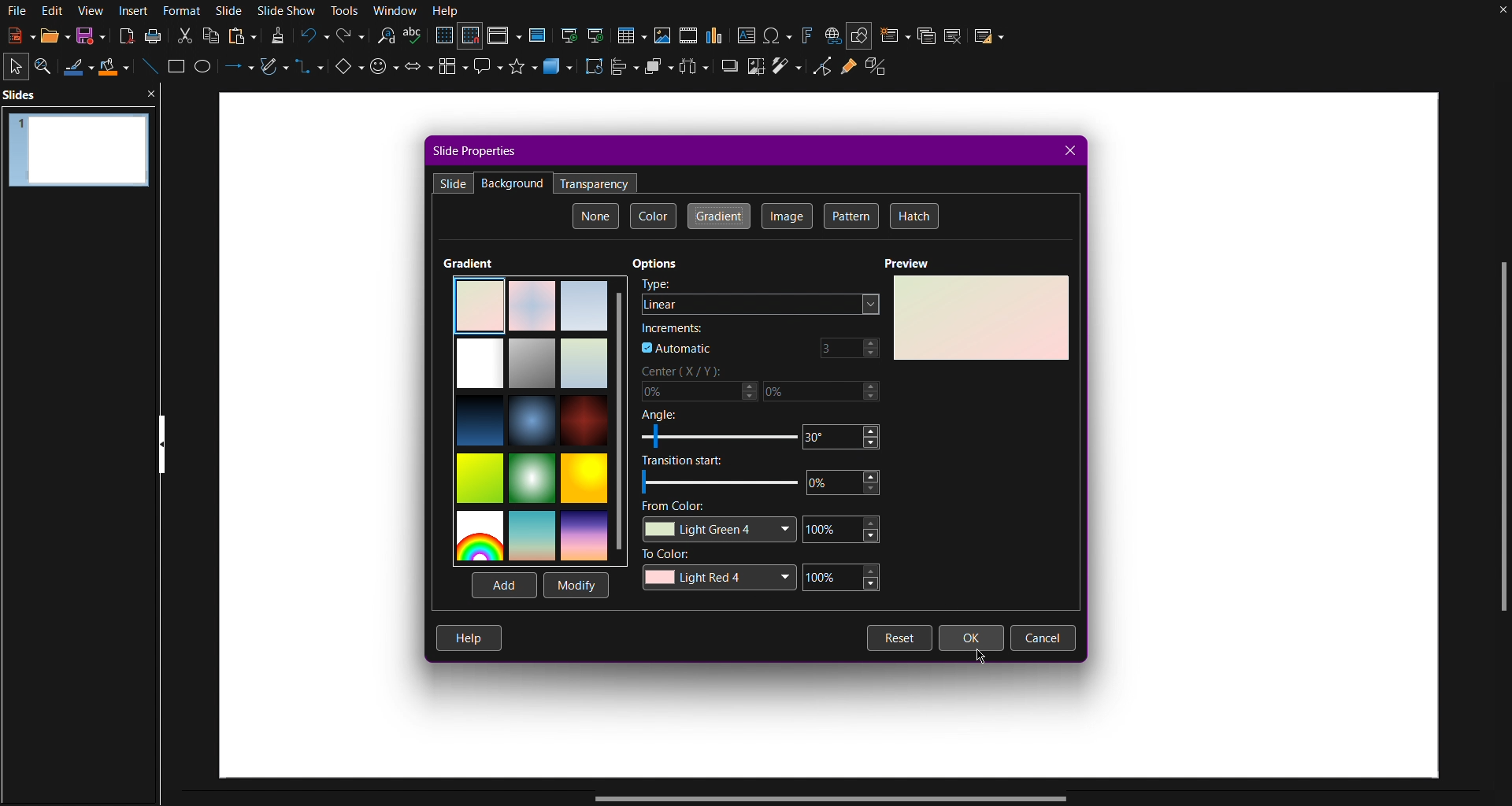  I want to click on Slide Layout, so click(991, 34).